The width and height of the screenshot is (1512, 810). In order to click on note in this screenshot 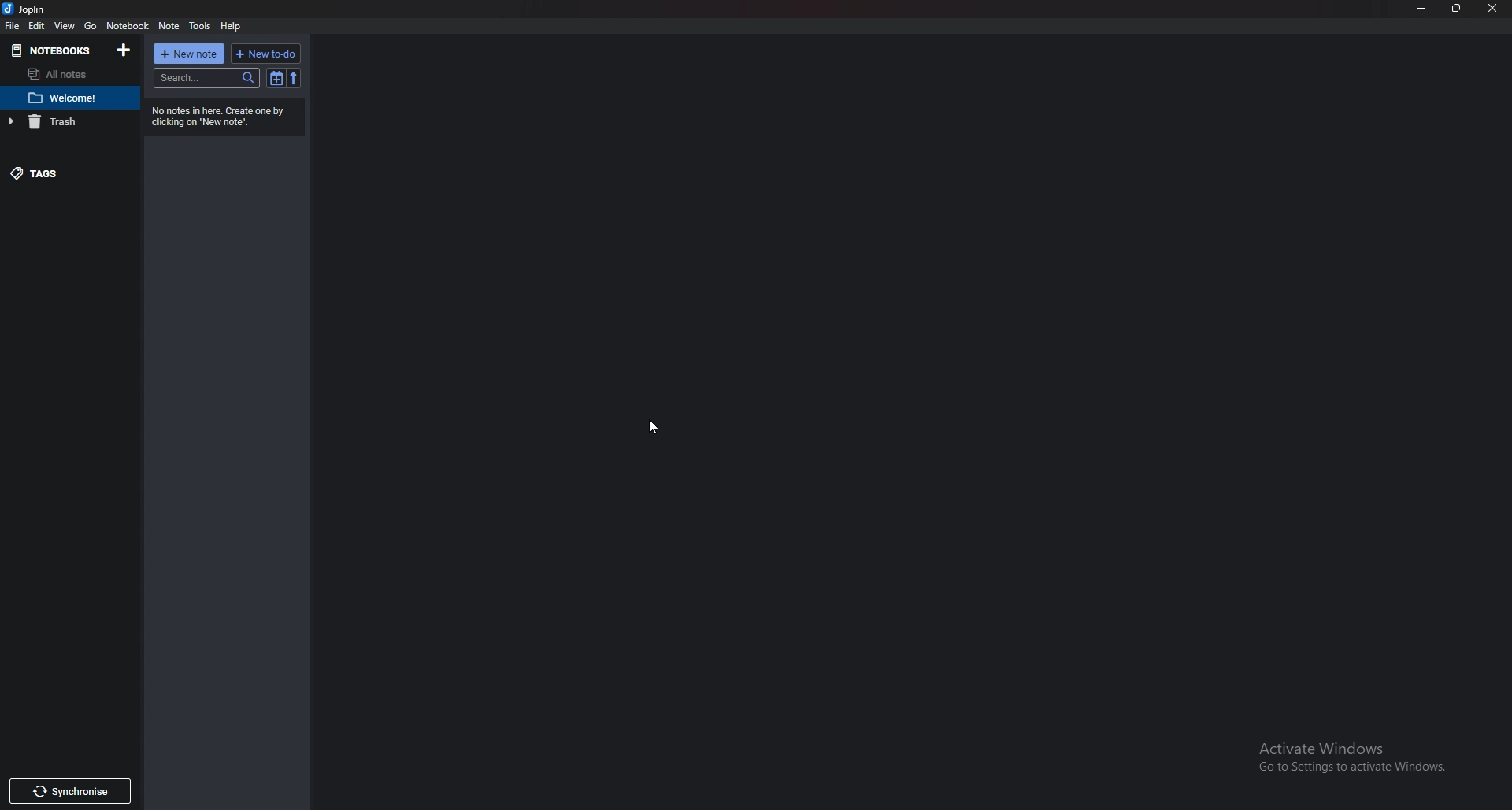, I will do `click(170, 25)`.